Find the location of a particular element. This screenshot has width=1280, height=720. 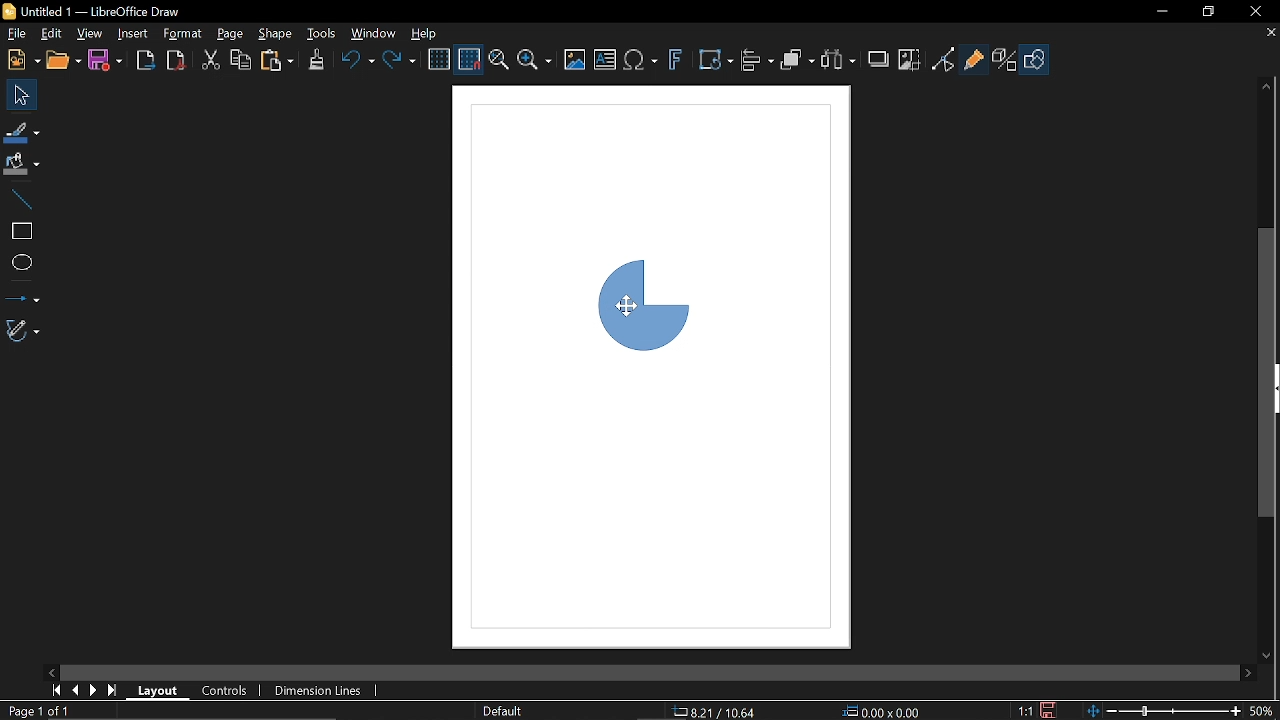

8.21/10.64 (cursor position) is located at coordinates (714, 712).